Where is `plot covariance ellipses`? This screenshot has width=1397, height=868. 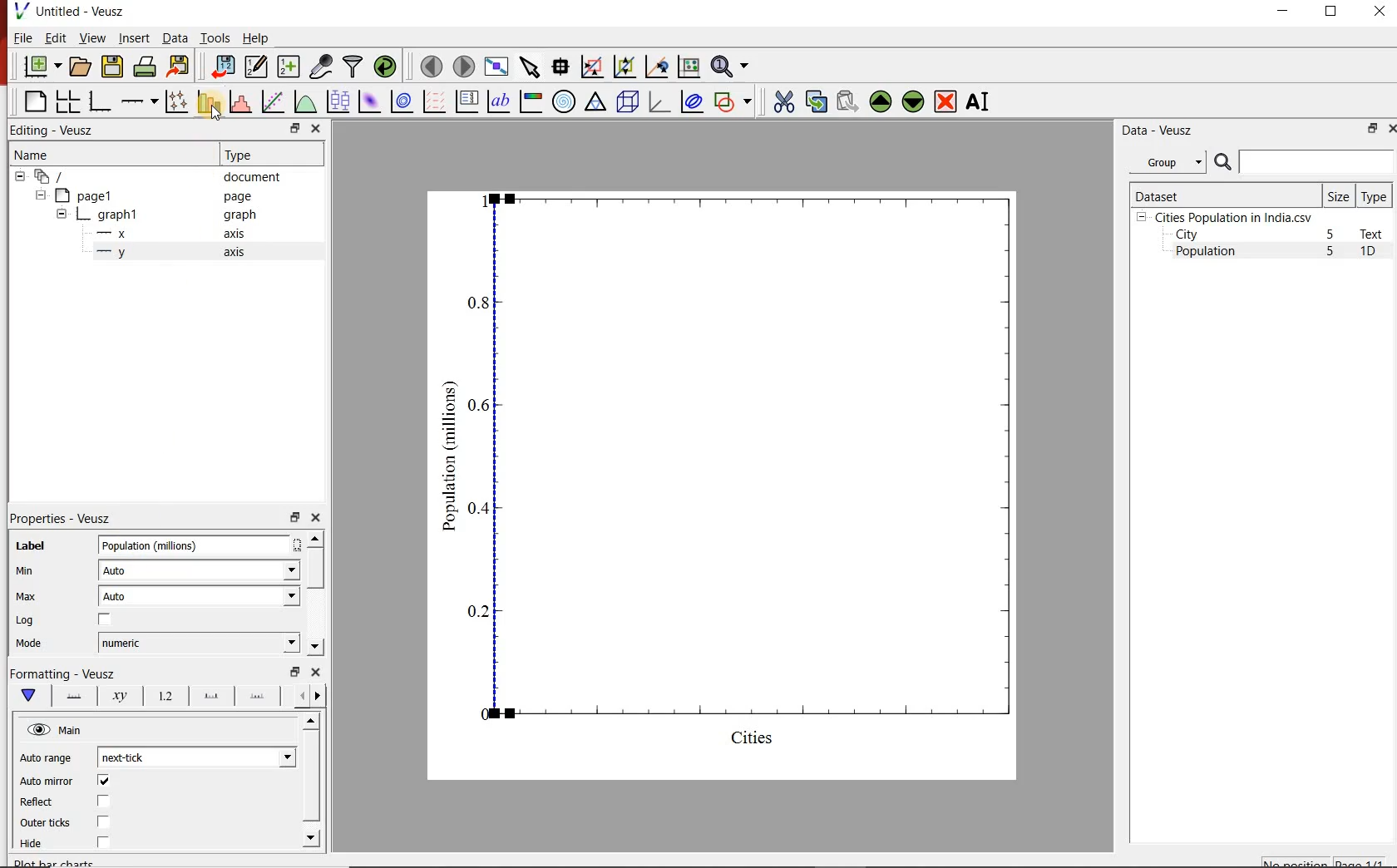 plot covariance ellipses is located at coordinates (692, 102).